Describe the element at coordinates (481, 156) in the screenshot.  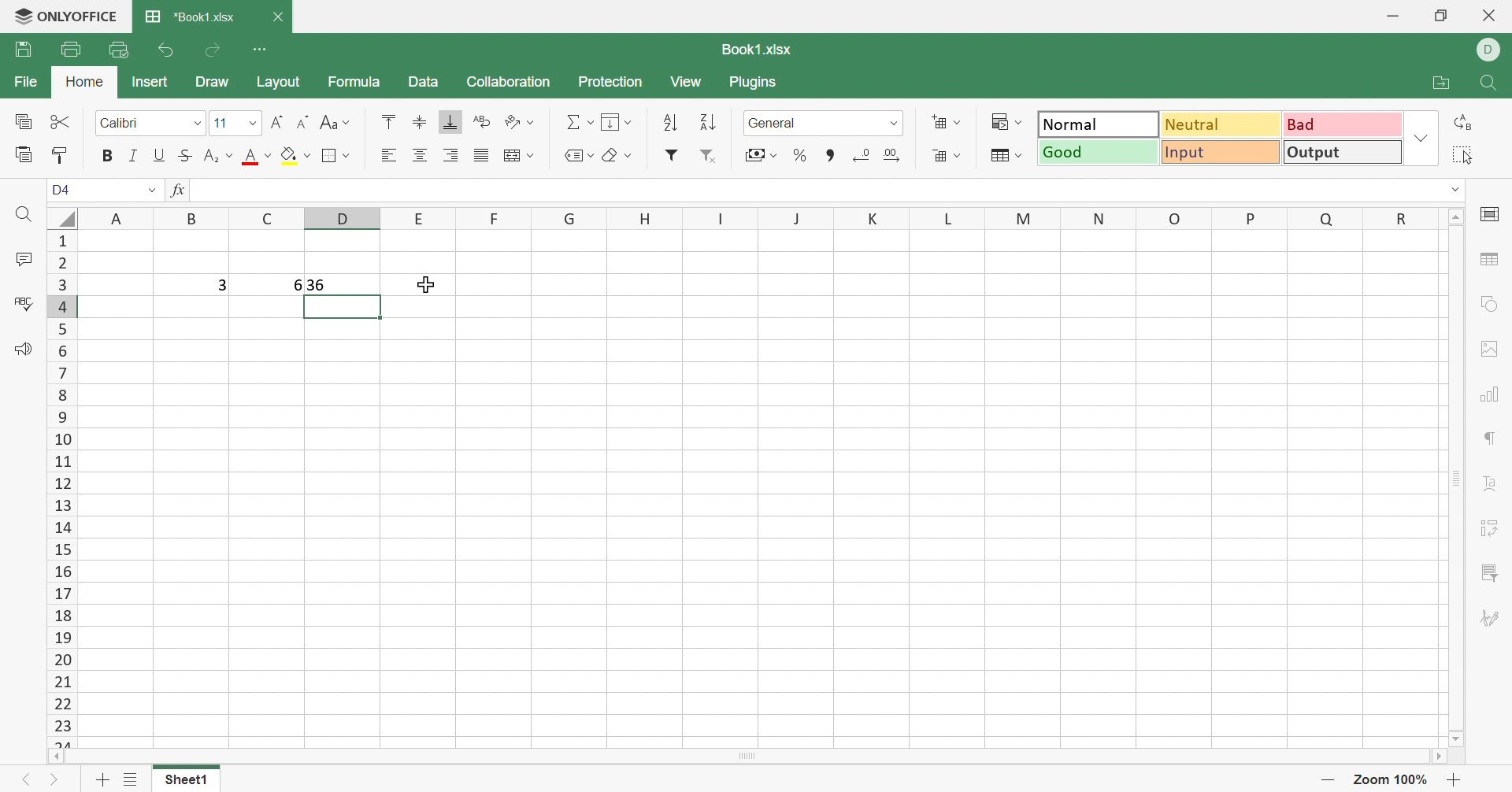
I see `Justified` at that location.